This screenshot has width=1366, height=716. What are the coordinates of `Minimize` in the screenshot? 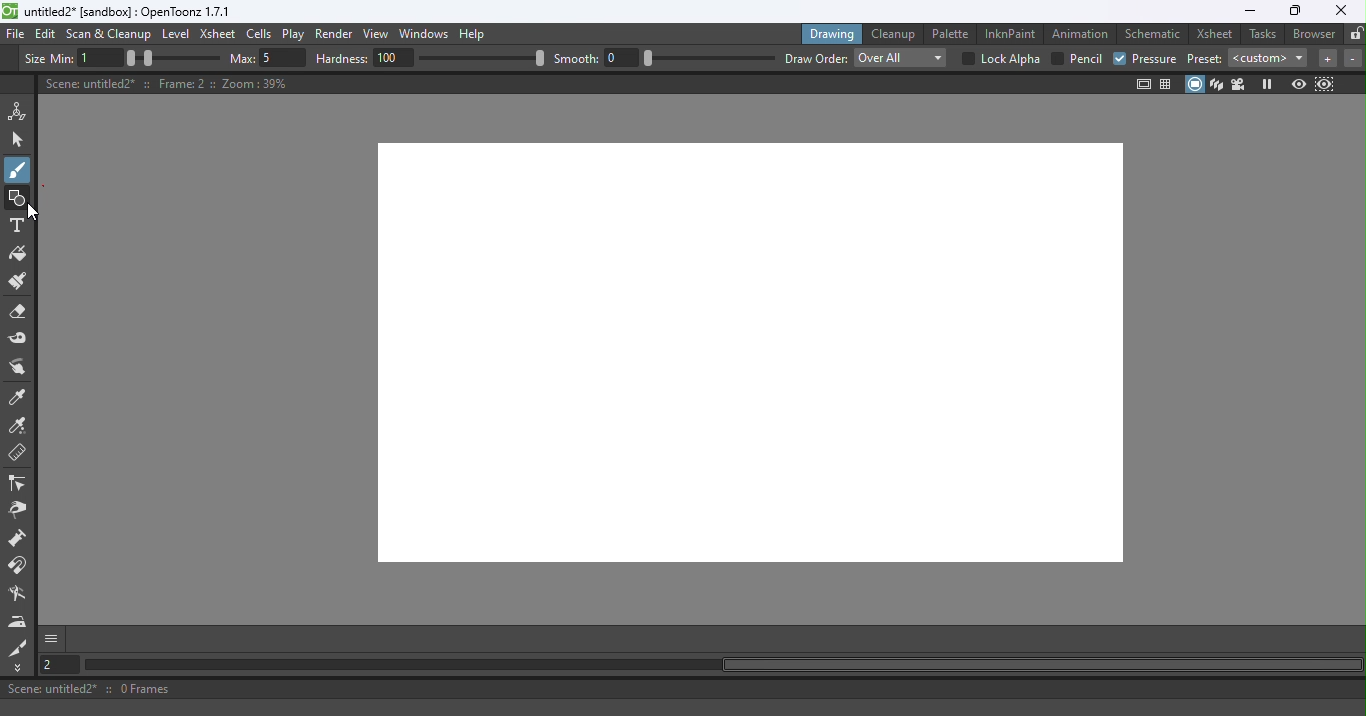 It's located at (1249, 11).